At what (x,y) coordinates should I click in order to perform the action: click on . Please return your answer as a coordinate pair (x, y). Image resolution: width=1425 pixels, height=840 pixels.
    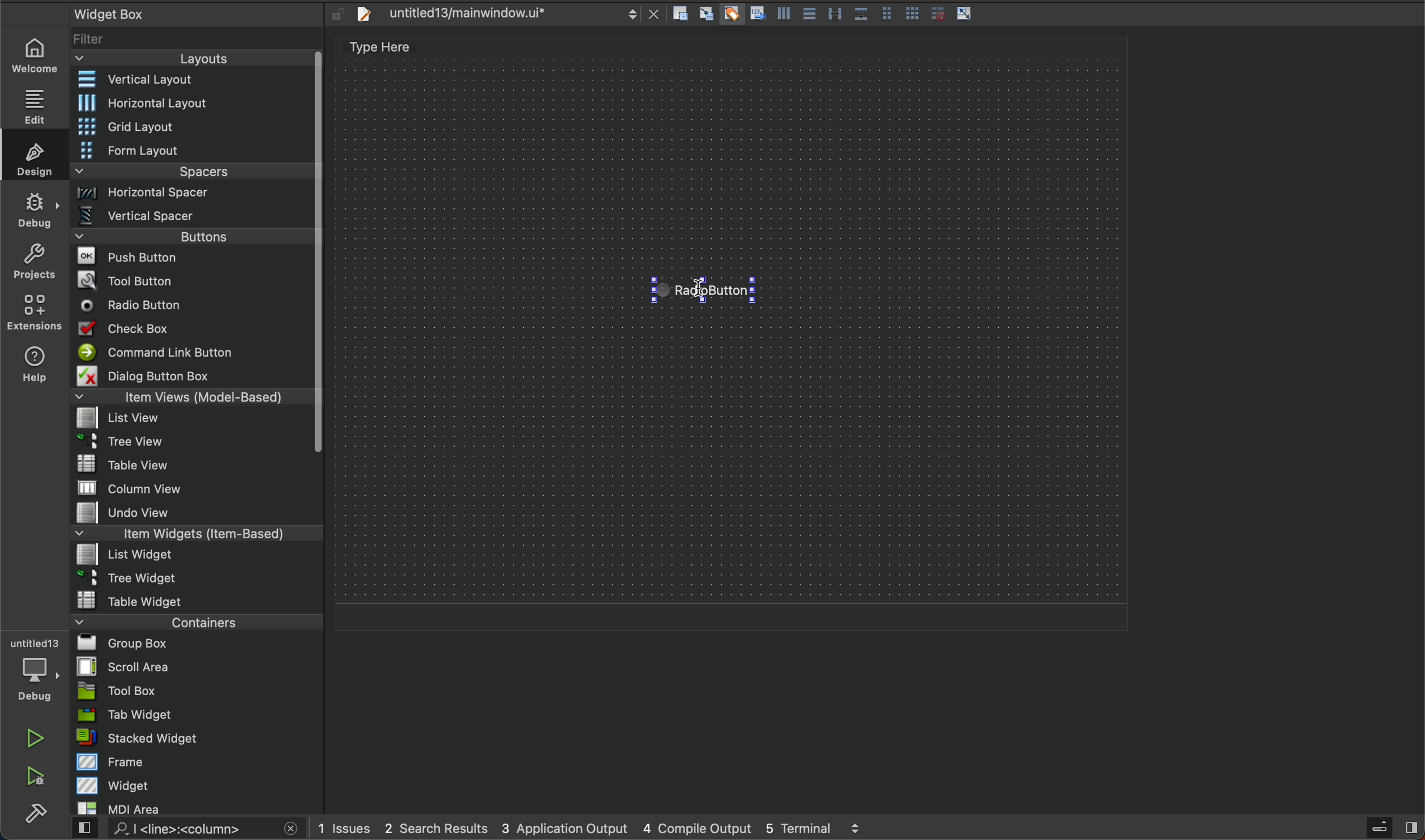
    Looking at the image, I should click on (782, 16).